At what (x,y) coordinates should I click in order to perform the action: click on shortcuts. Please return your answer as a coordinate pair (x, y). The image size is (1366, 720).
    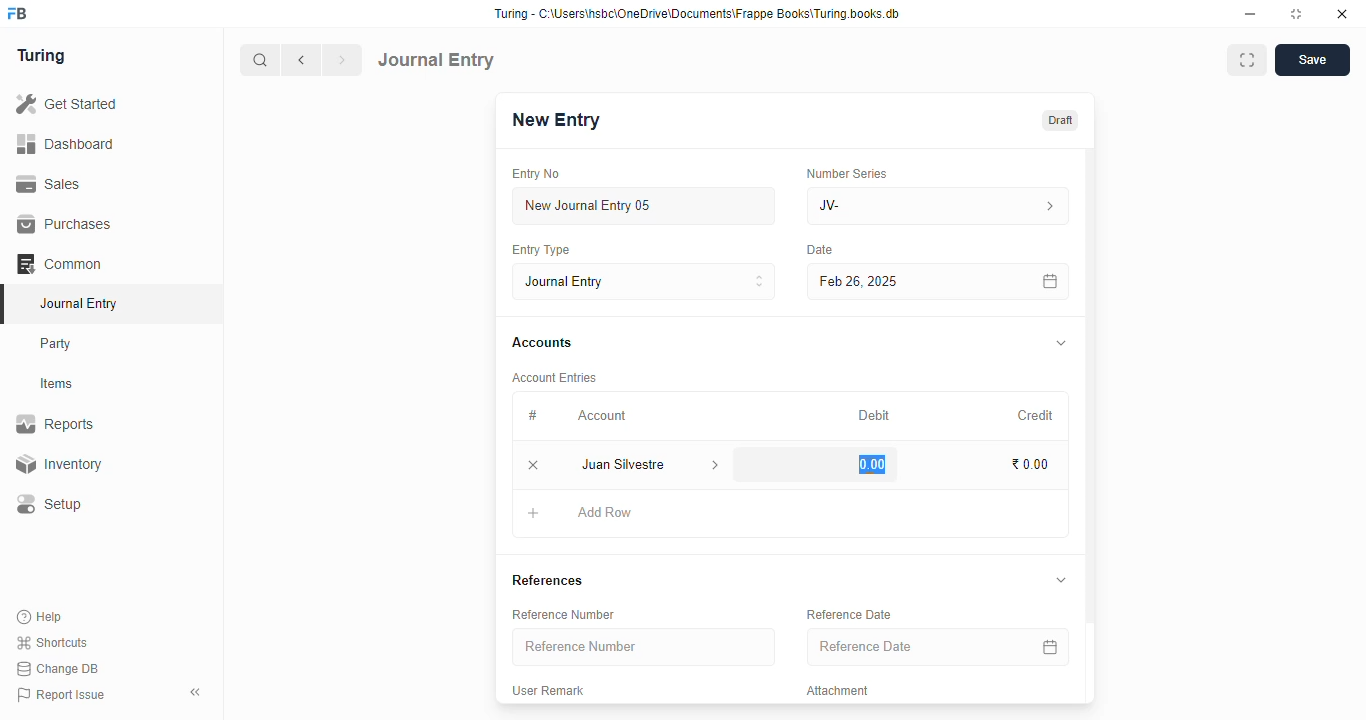
    Looking at the image, I should click on (52, 643).